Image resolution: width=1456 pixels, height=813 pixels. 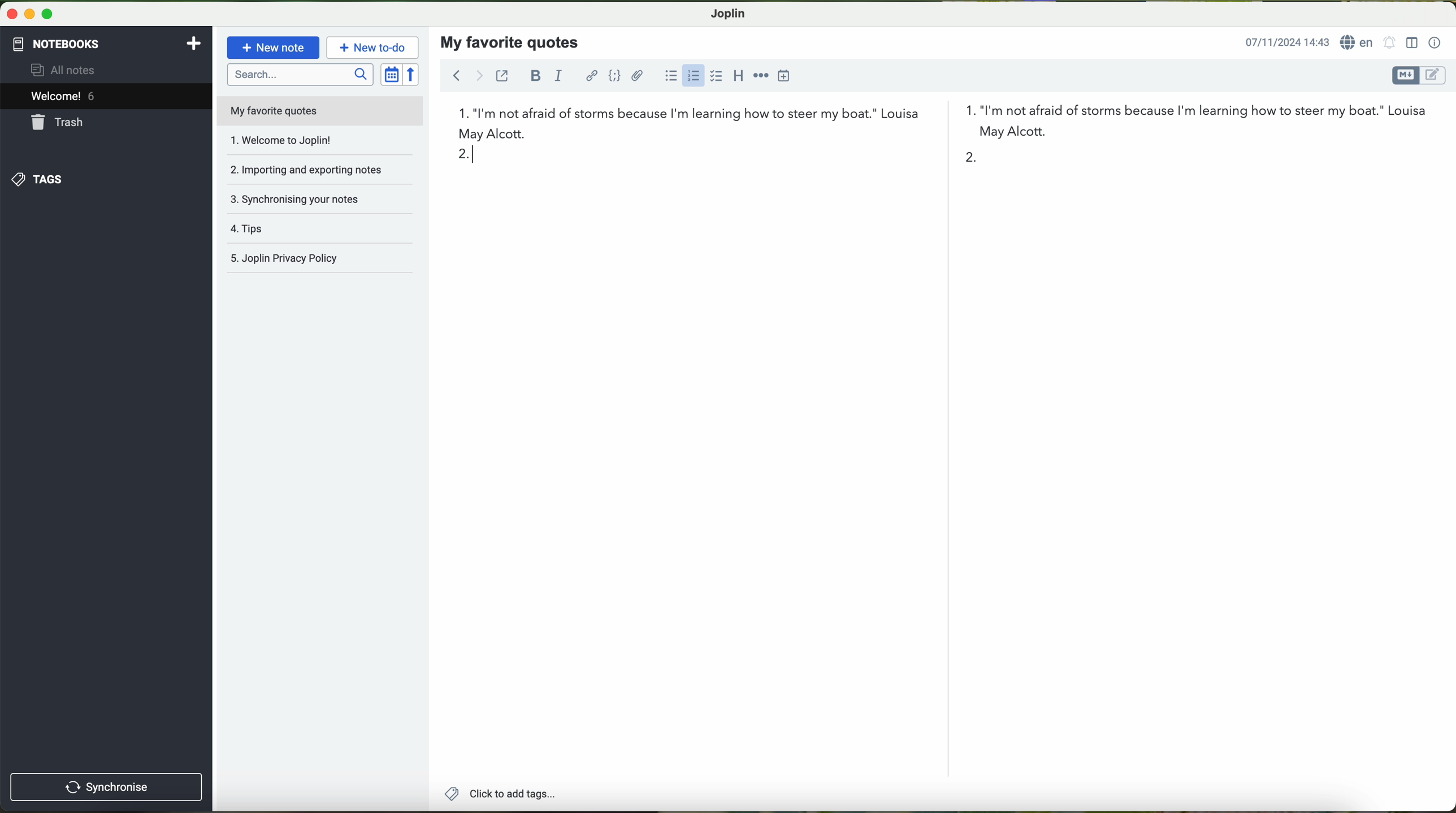 I want to click on date and hour, so click(x=1286, y=41).